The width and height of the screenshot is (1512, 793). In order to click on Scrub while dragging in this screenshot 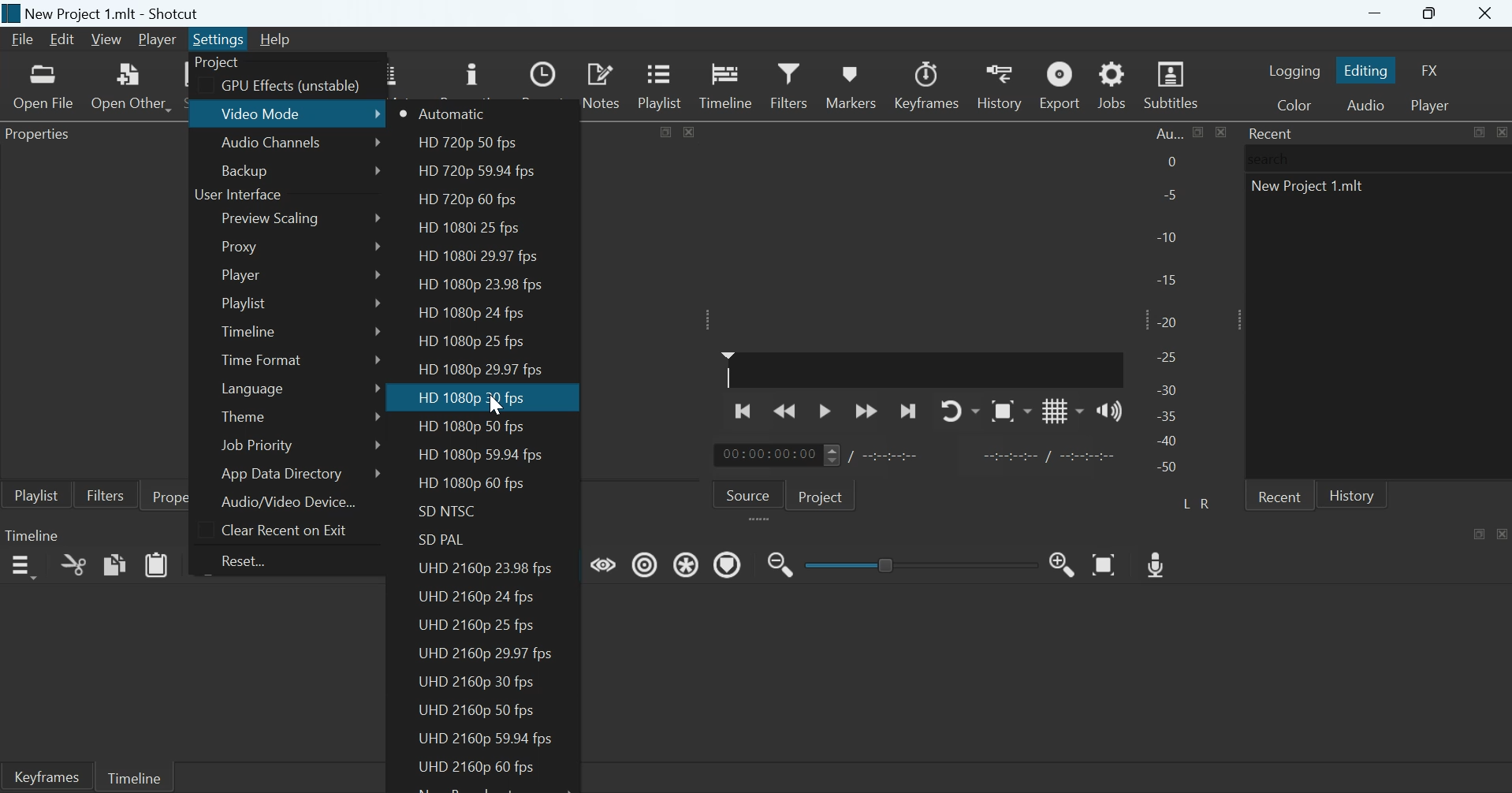, I will do `click(604, 563)`.